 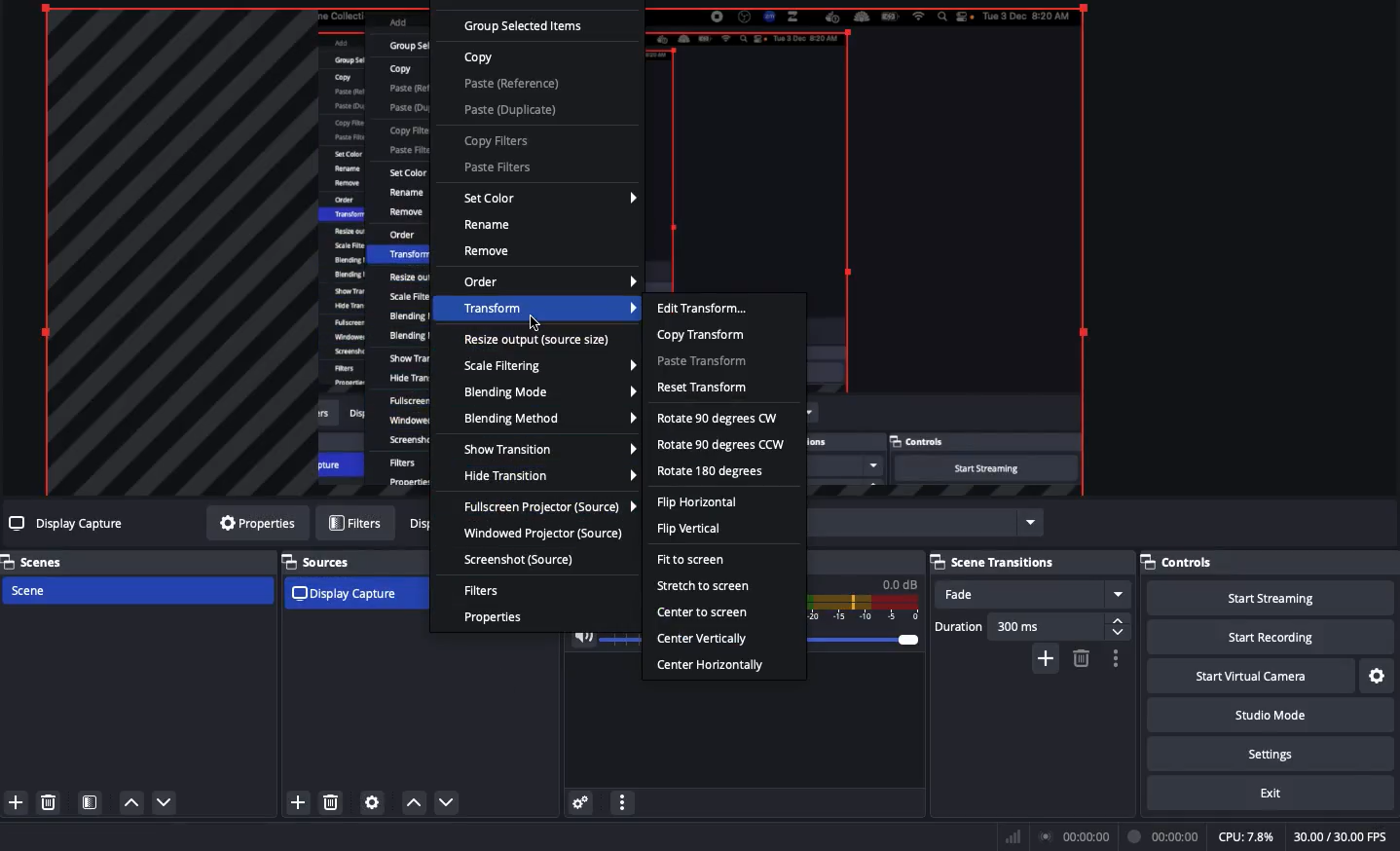 I want to click on Copy filters, so click(x=496, y=142).